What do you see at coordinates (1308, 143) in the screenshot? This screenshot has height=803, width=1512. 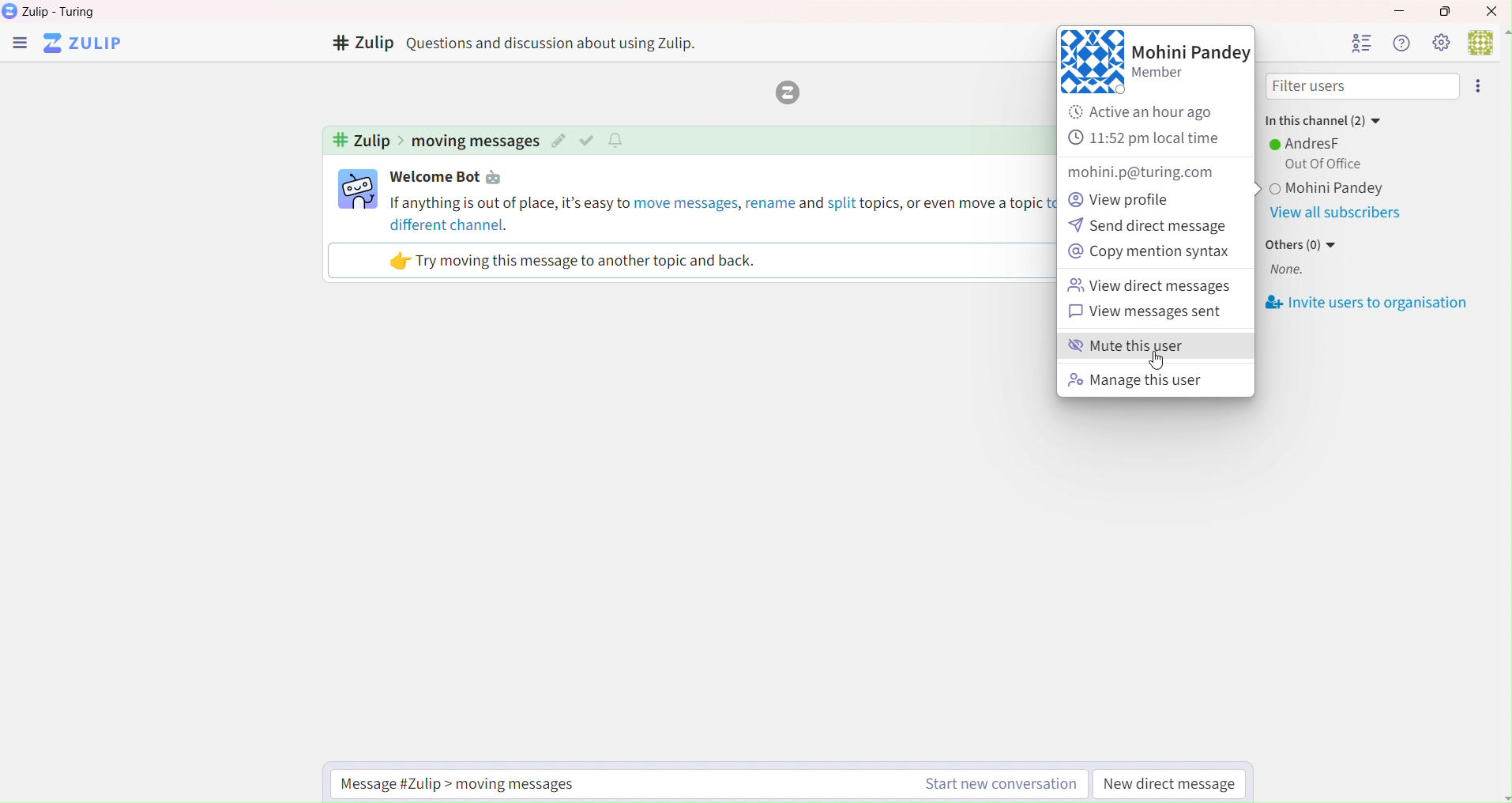 I see `AndresF` at bounding box center [1308, 143].